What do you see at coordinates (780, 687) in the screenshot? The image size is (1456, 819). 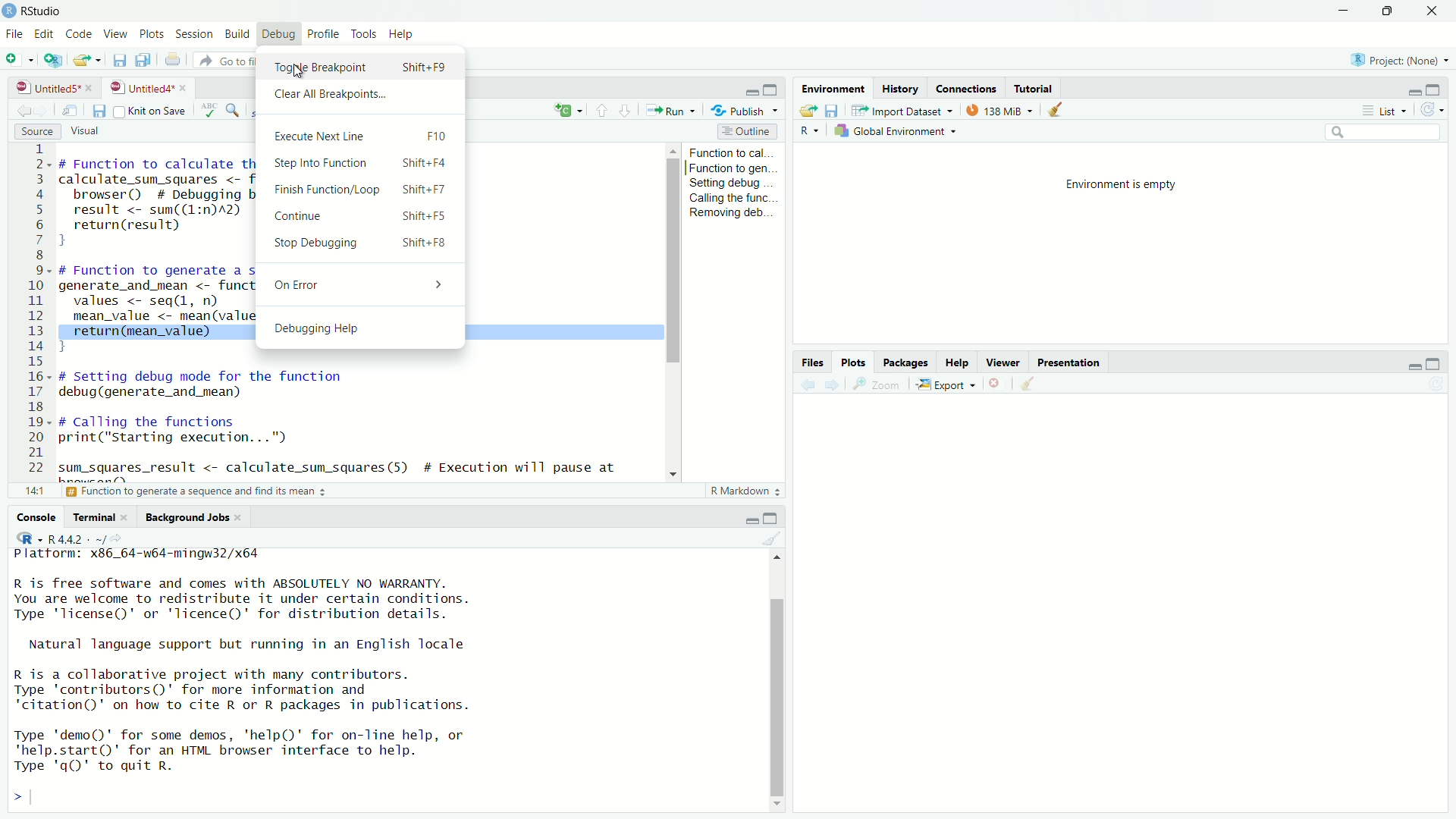 I see `scrollbar` at bounding box center [780, 687].